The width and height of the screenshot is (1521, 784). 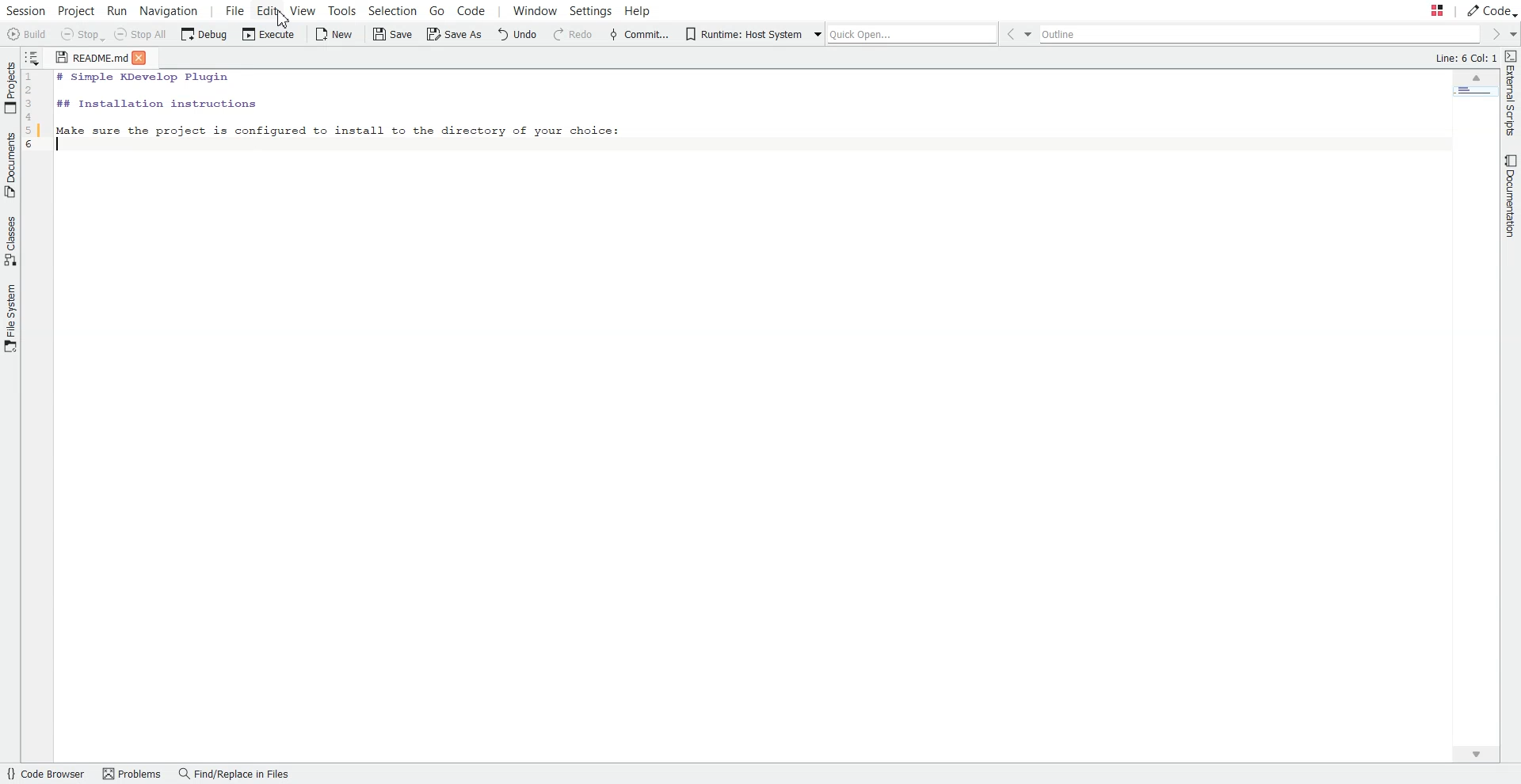 What do you see at coordinates (1263, 35) in the screenshot?
I see `Outline` at bounding box center [1263, 35].